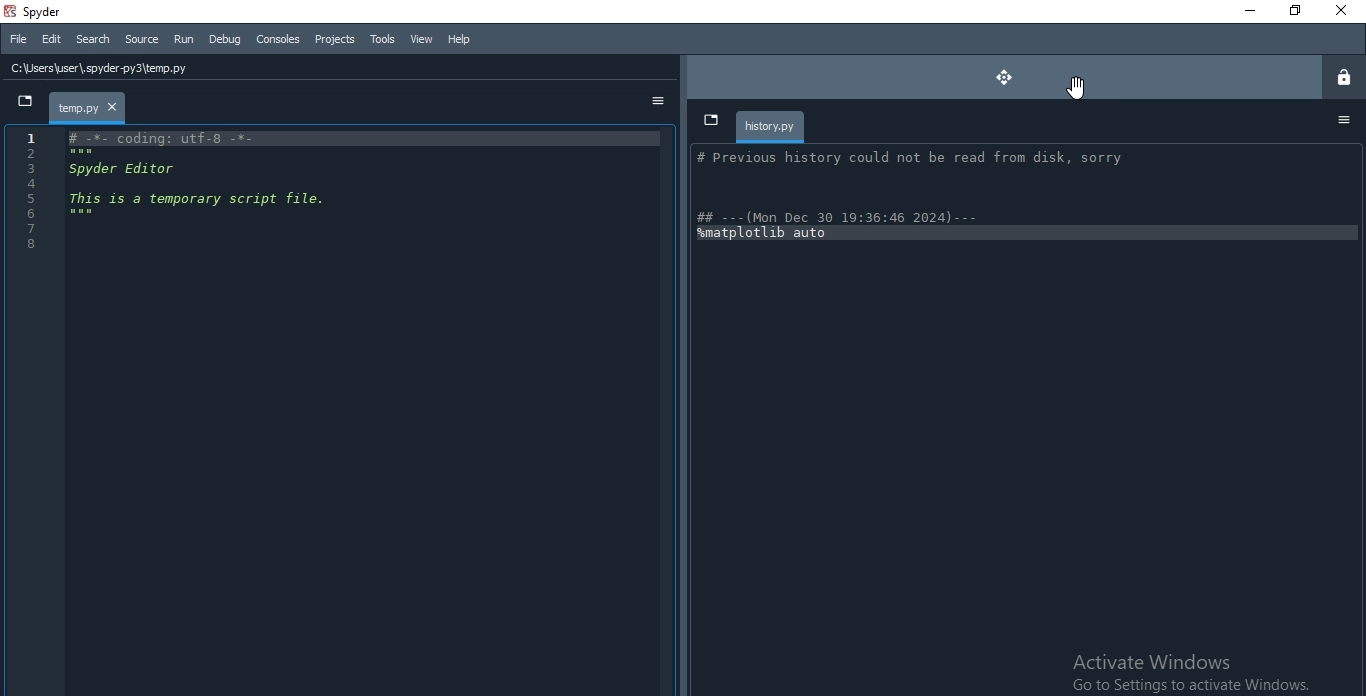 Image resolution: width=1366 pixels, height=696 pixels. Describe the element at coordinates (184, 38) in the screenshot. I see `Run` at that location.